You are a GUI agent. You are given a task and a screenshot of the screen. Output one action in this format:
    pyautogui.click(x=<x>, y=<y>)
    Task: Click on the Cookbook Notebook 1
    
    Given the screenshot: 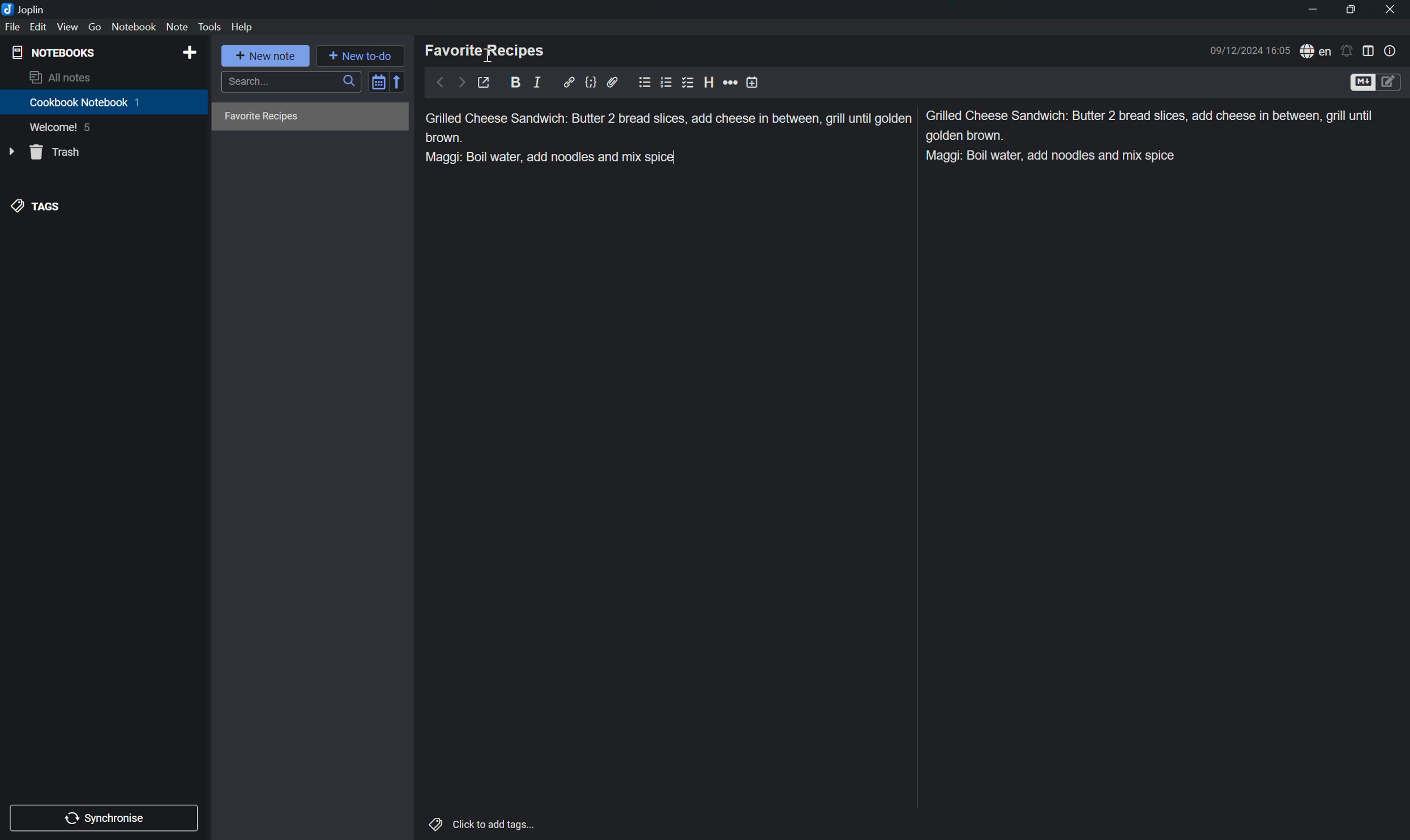 What is the action you would take?
    pyautogui.click(x=86, y=102)
    